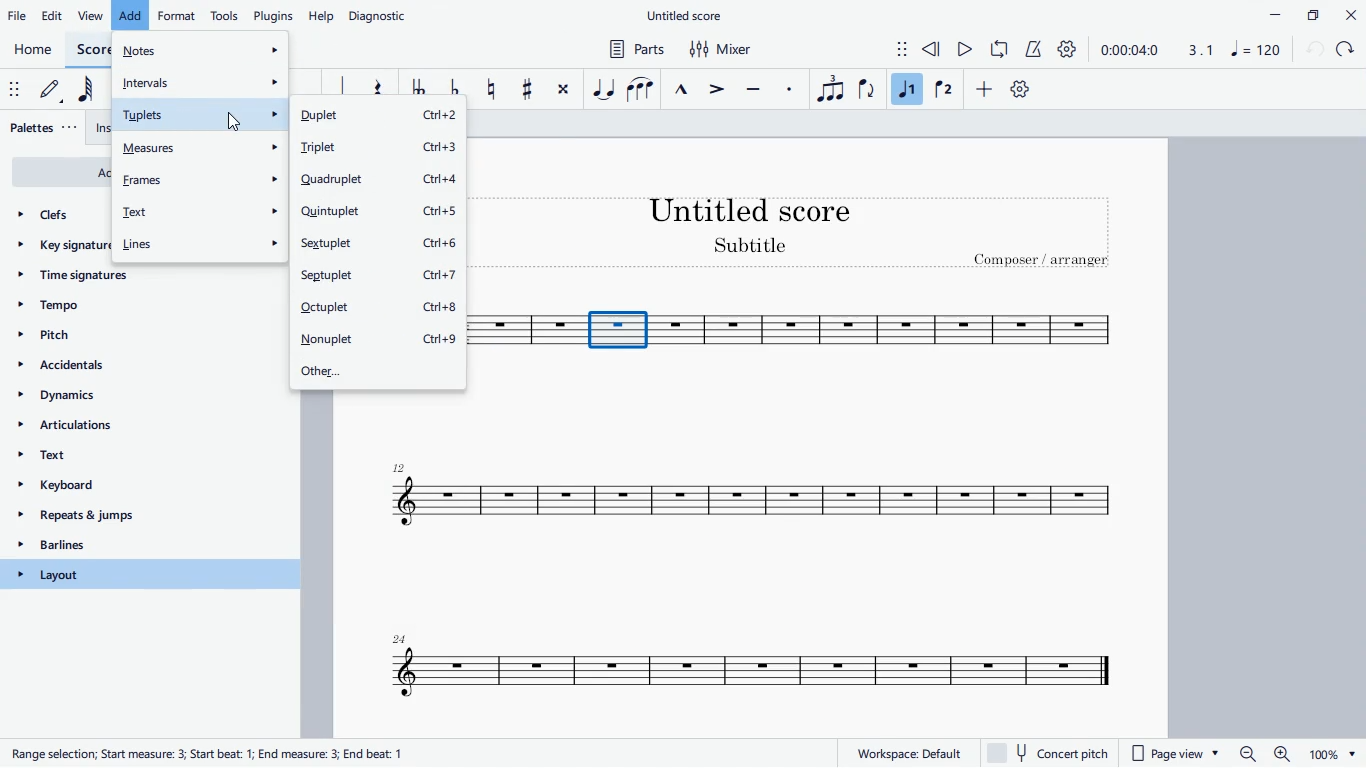 This screenshot has height=768, width=1366. What do you see at coordinates (151, 574) in the screenshot?
I see `selected palette` at bounding box center [151, 574].